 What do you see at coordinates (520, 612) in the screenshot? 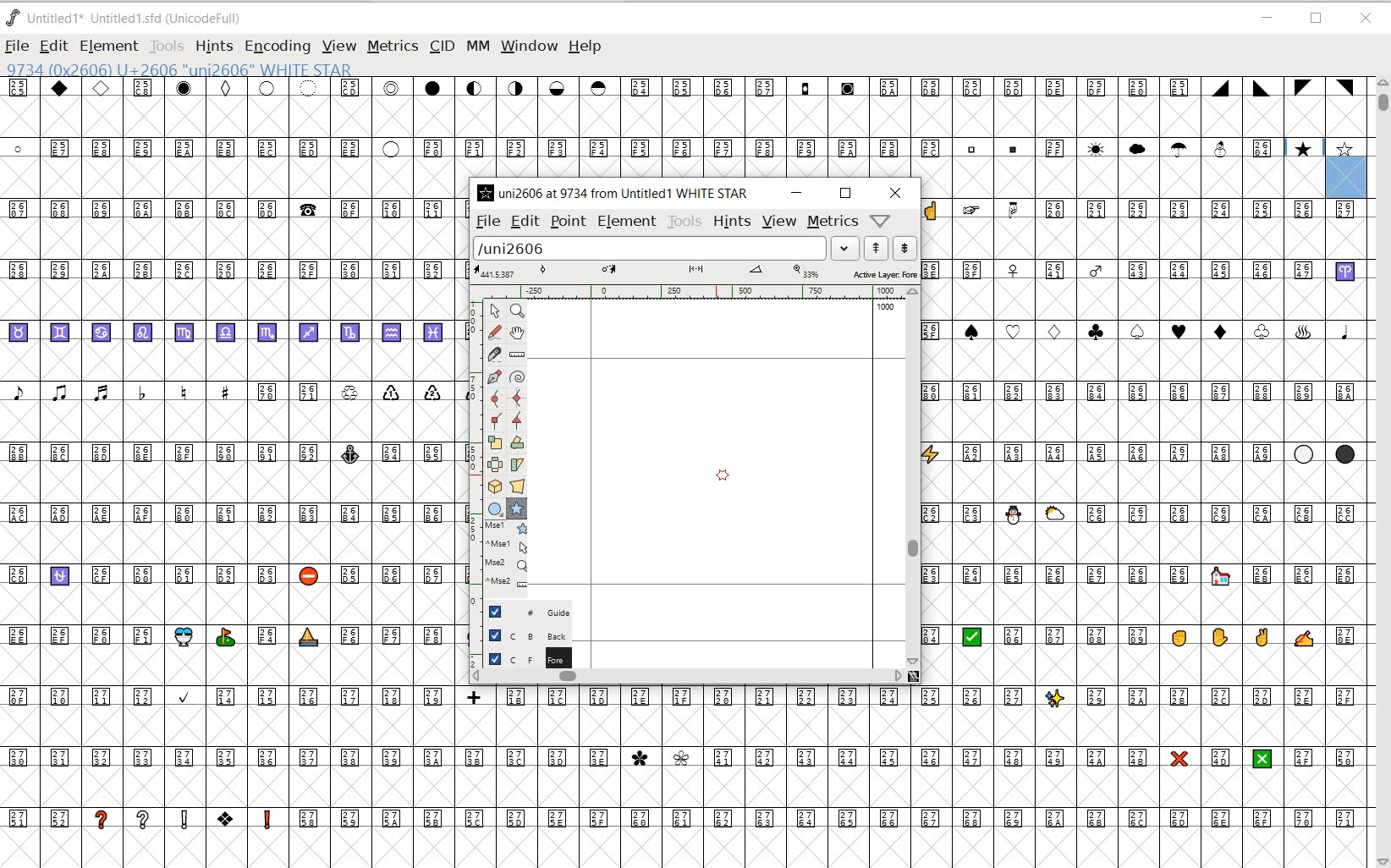
I see `GUIDE` at bounding box center [520, 612].